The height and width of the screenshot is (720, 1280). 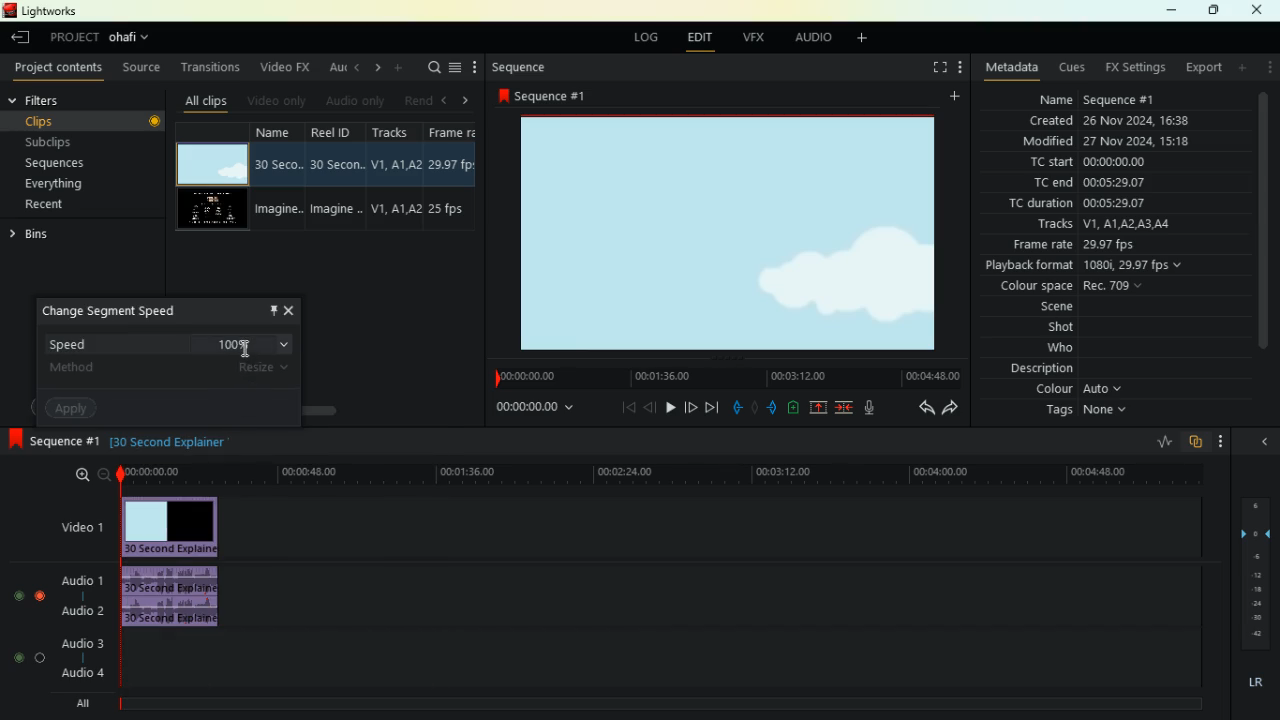 I want to click on all, so click(x=86, y=706).